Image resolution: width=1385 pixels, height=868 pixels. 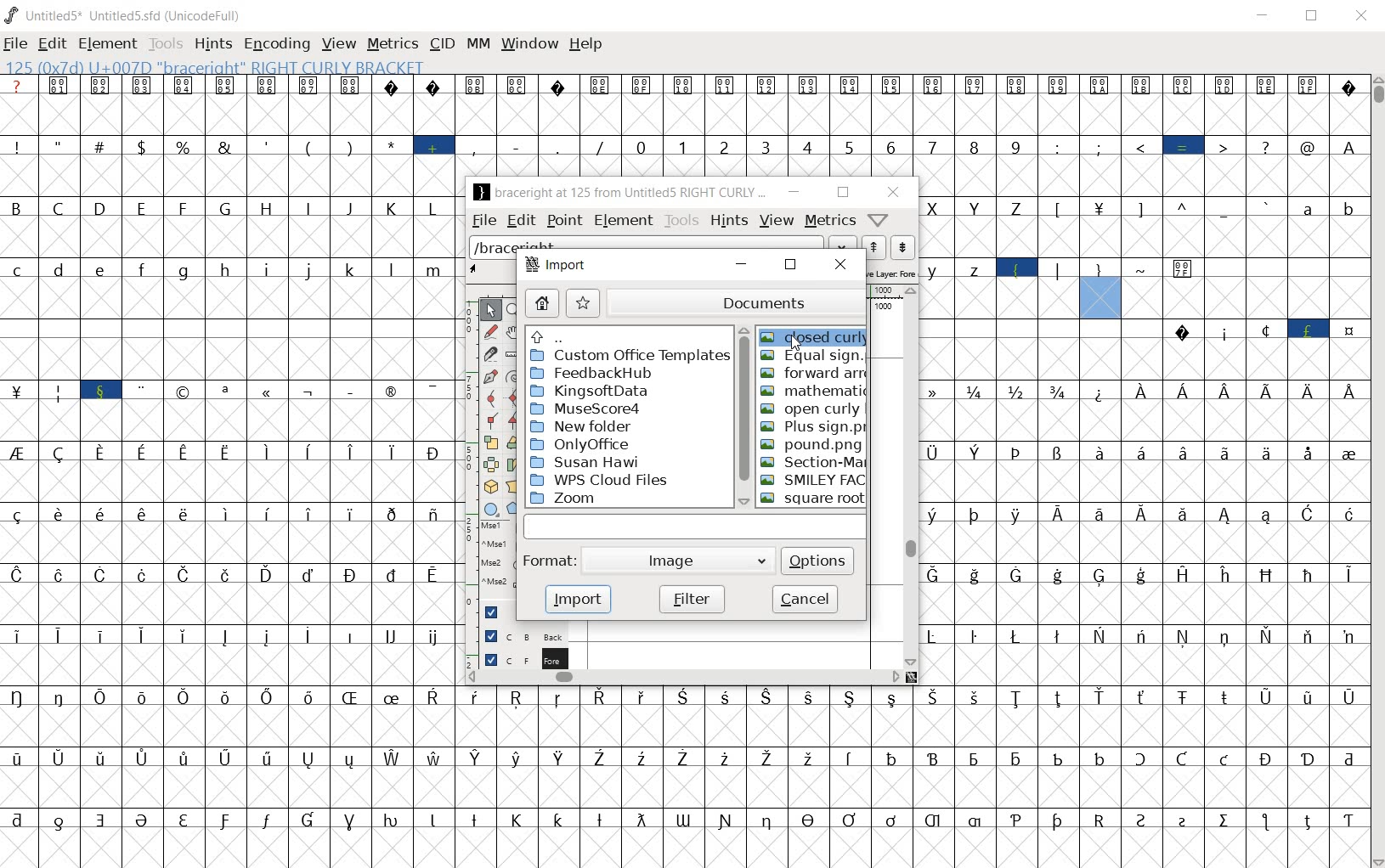 I want to click on CURSOR, so click(x=792, y=341).